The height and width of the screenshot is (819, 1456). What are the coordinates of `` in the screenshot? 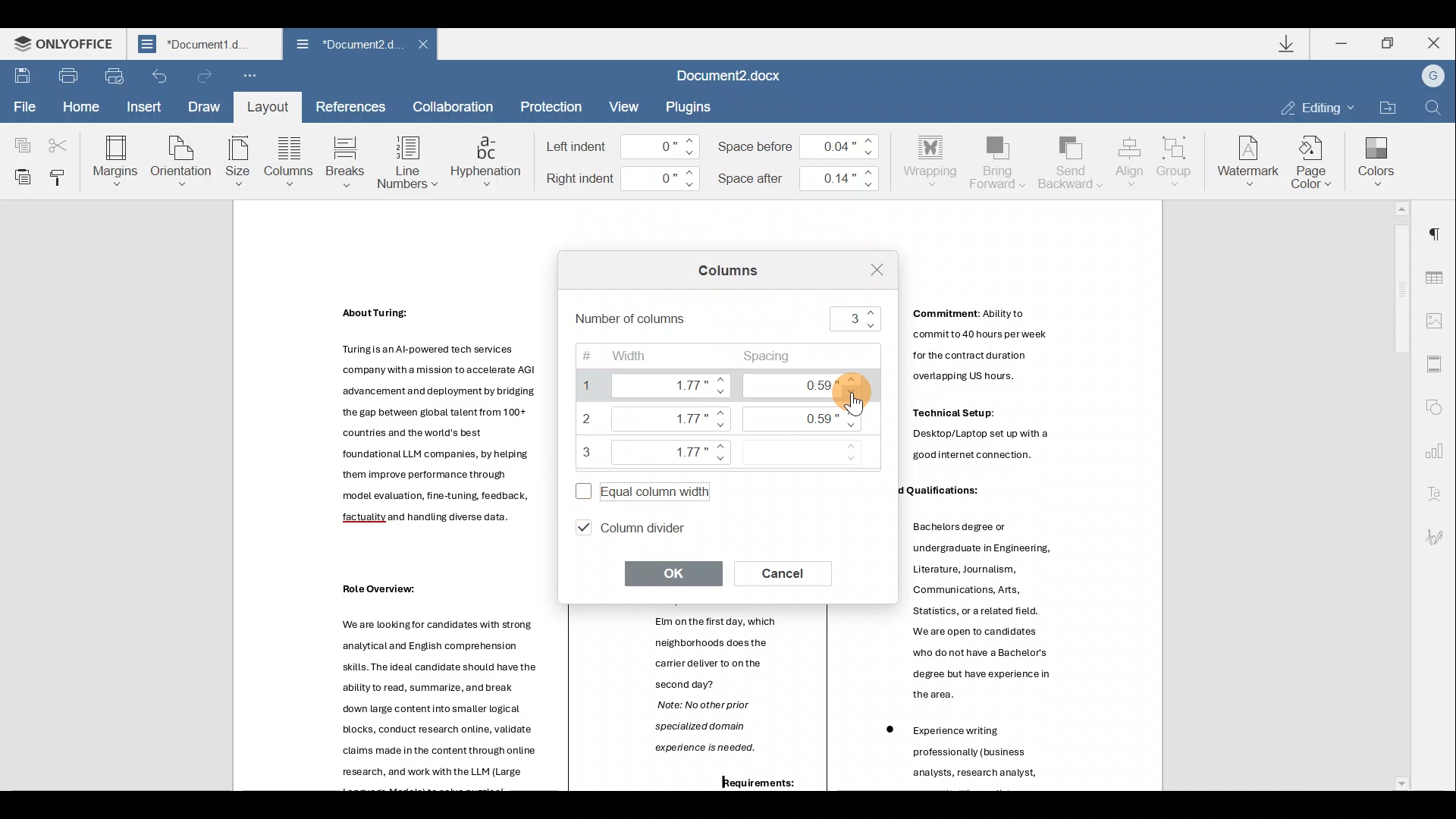 It's located at (997, 610).